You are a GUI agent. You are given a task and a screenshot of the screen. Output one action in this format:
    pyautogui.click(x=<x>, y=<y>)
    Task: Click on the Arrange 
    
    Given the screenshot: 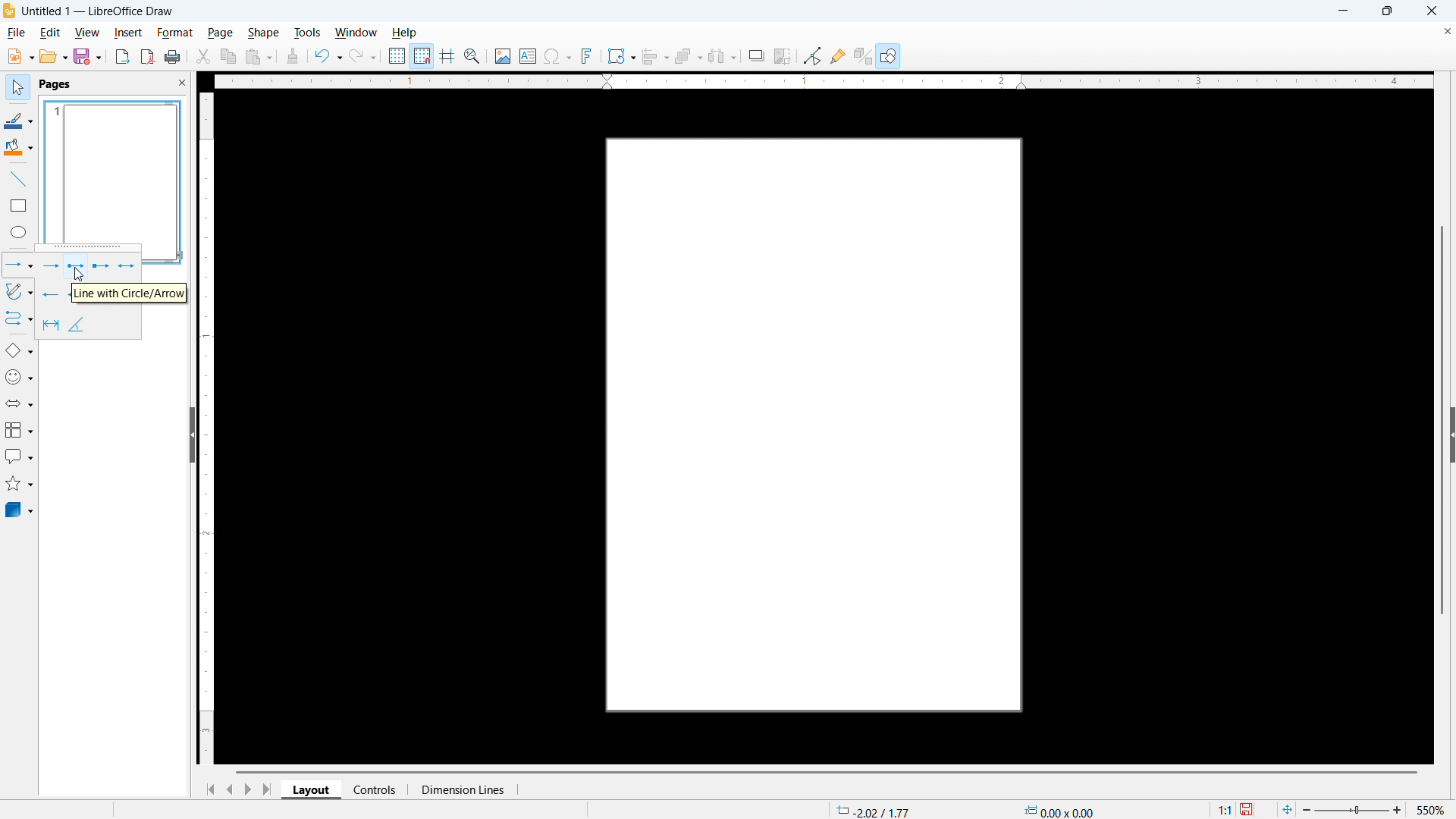 What is the action you would take?
    pyautogui.click(x=689, y=57)
    